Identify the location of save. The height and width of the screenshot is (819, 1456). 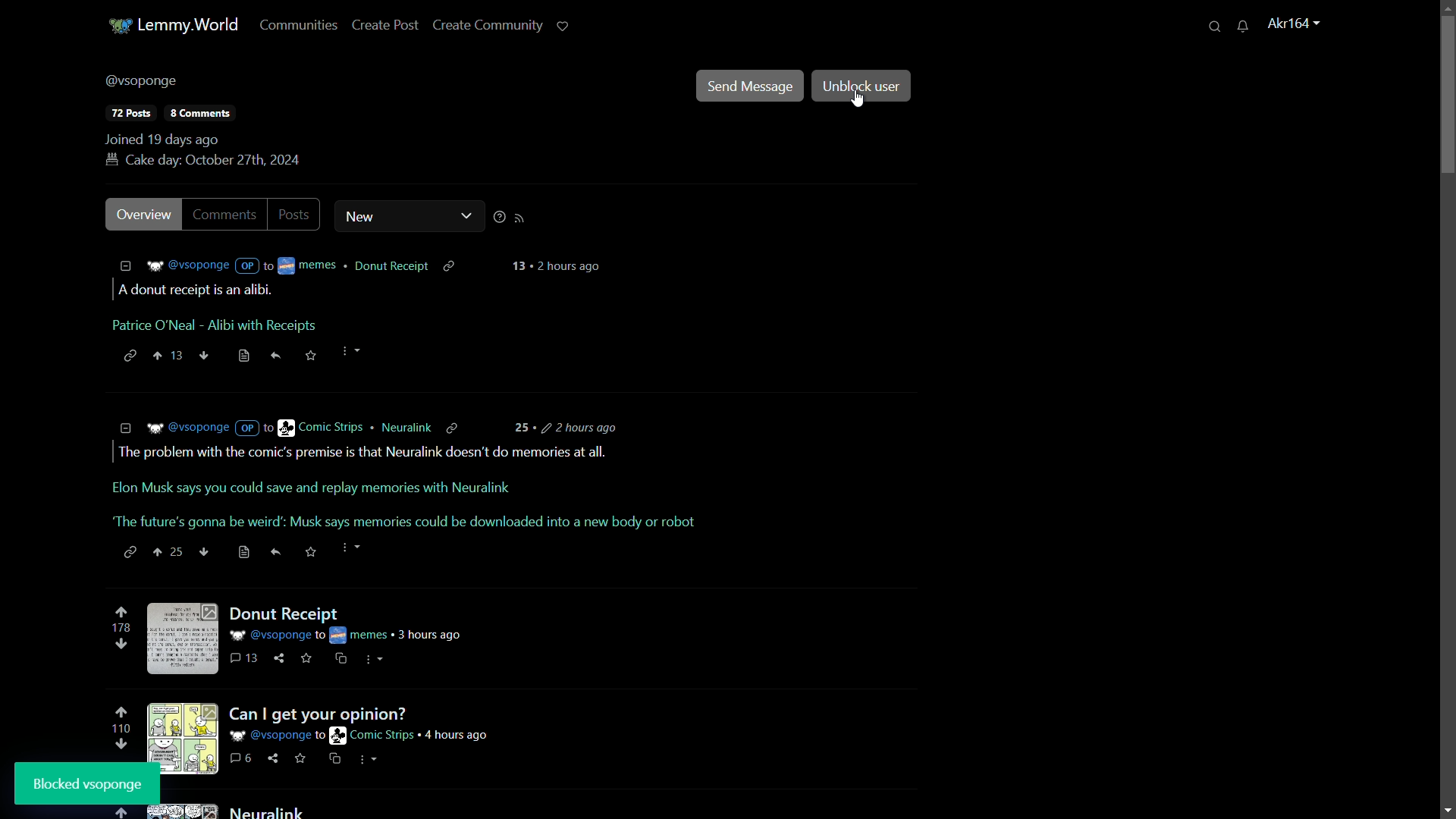
(241, 355).